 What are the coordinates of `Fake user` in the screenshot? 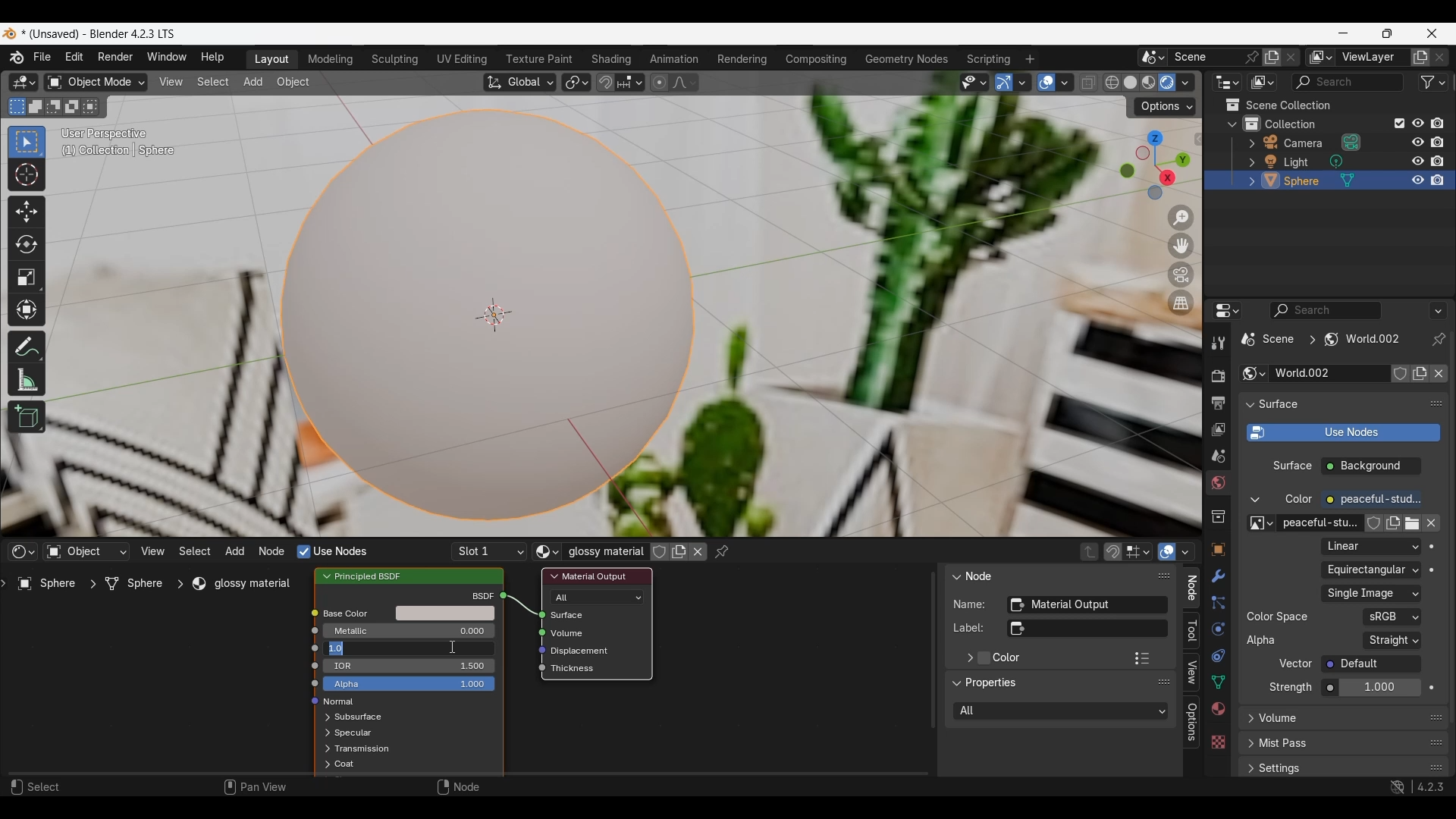 It's located at (1374, 523).